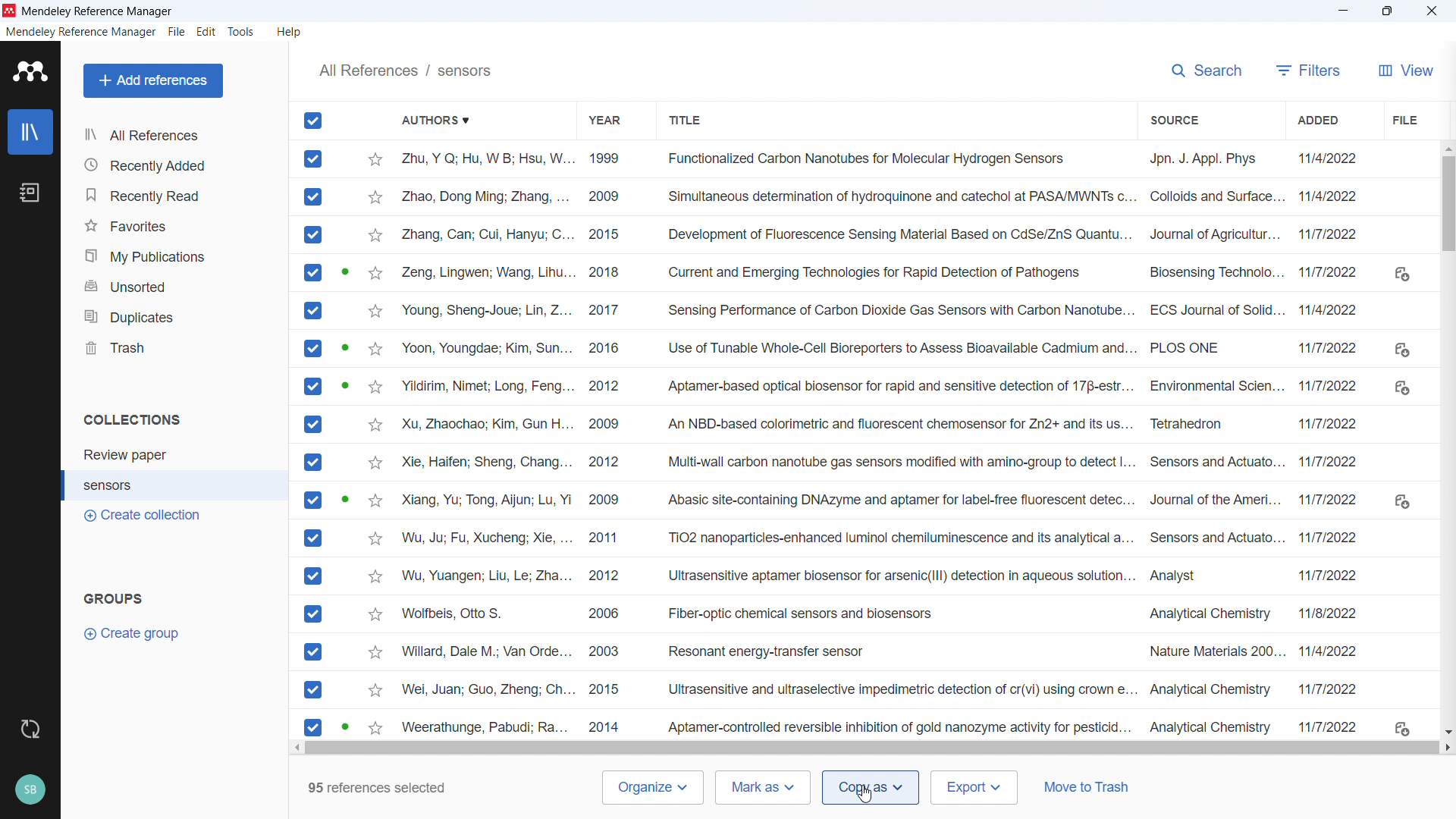 The width and height of the screenshot is (1456, 819). I want to click on unsorted, so click(174, 284).